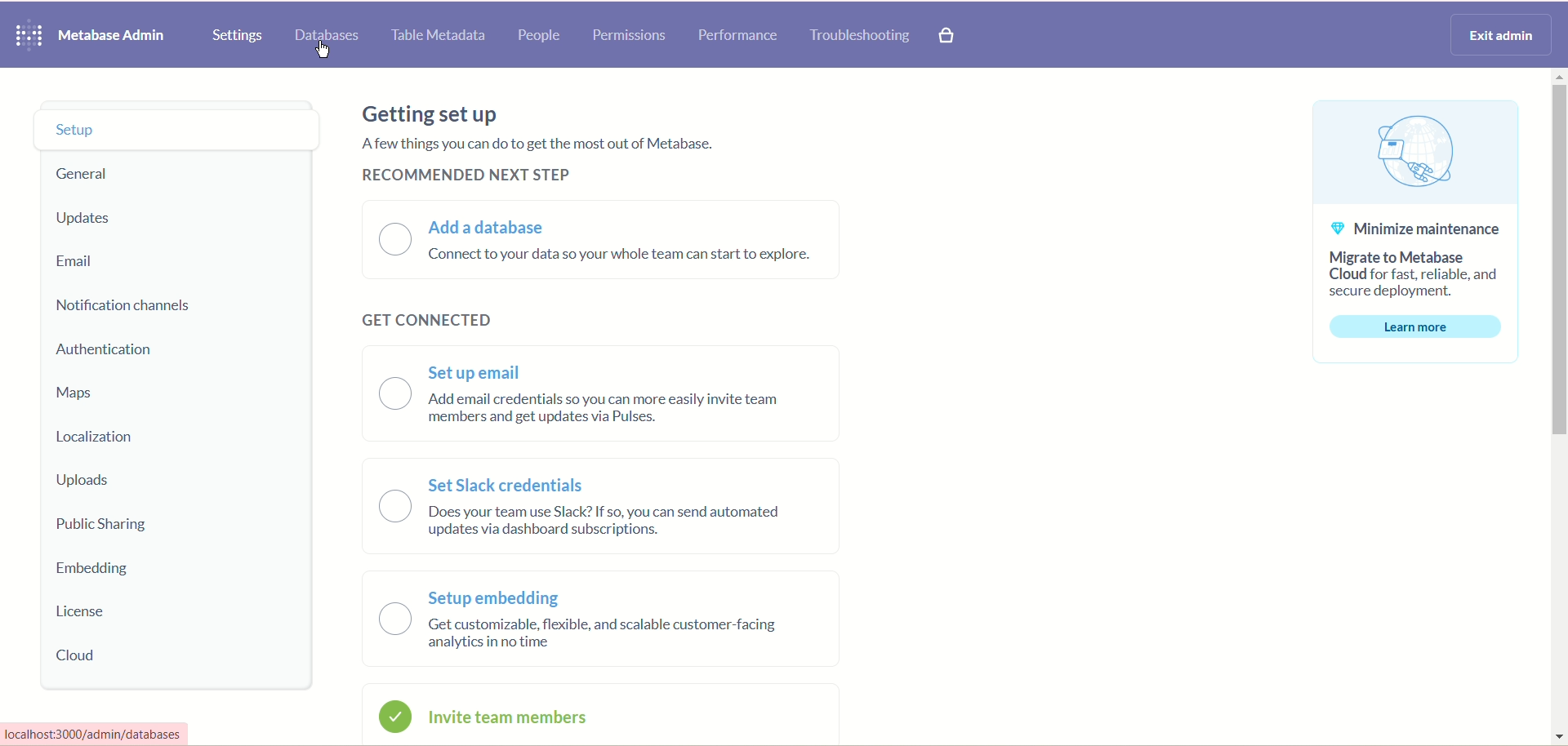  What do you see at coordinates (615, 624) in the screenshot?
I see `setup embedding` at bounding box center [615, 624].